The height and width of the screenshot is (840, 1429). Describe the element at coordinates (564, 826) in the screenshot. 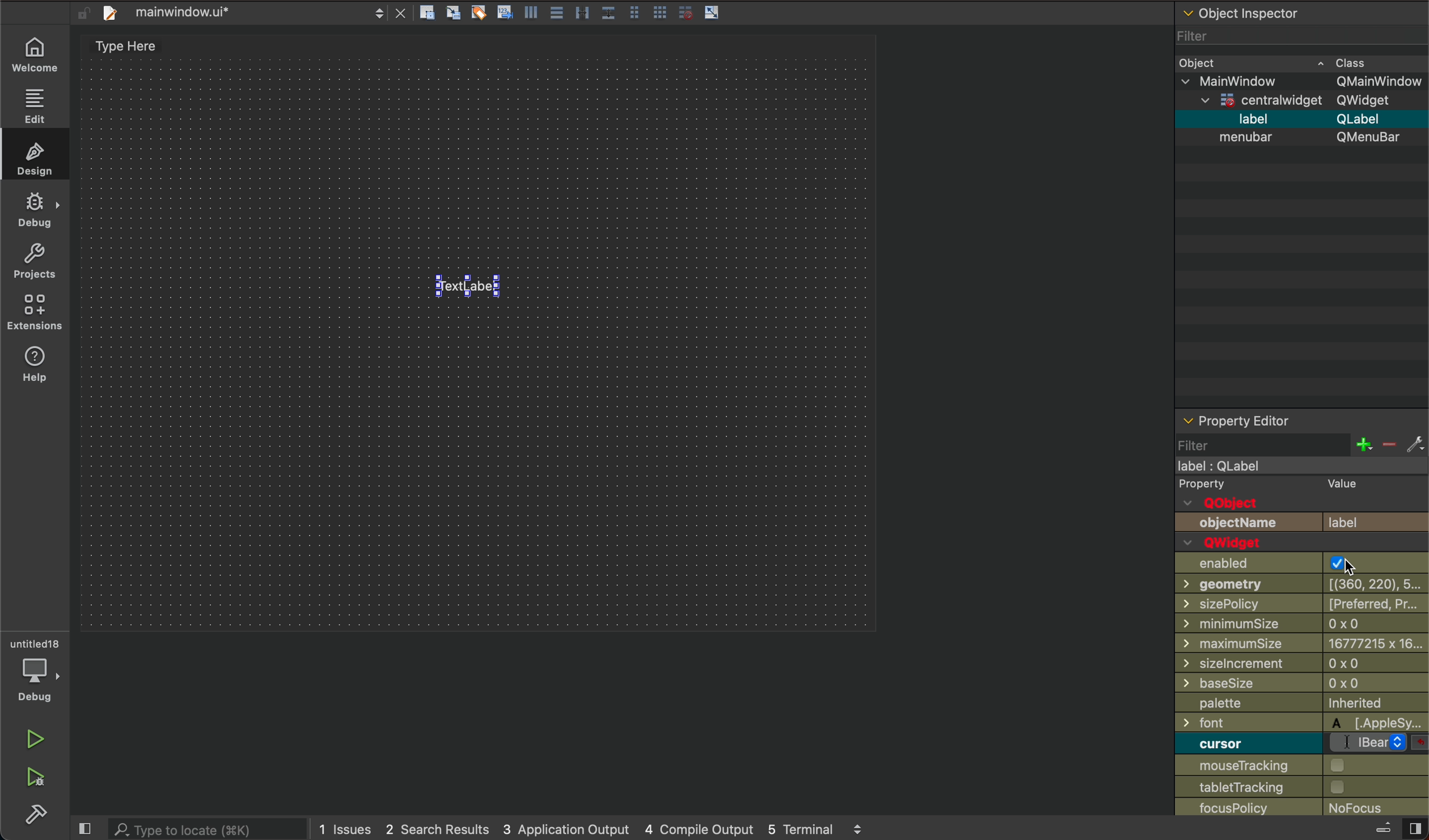

I see `3 application output` at that location.